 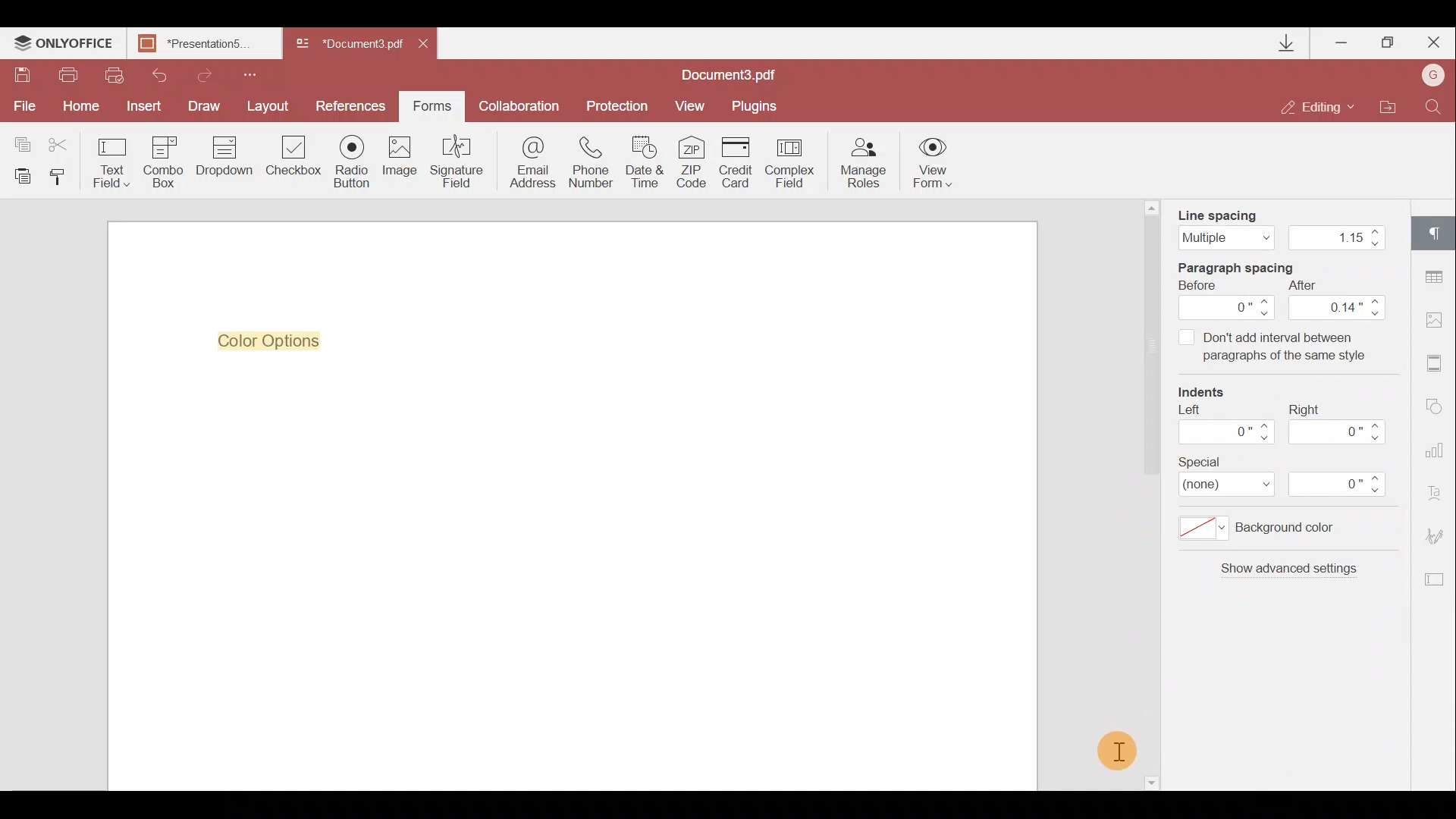 I want to click on Print file, so click(x=73, y=75).